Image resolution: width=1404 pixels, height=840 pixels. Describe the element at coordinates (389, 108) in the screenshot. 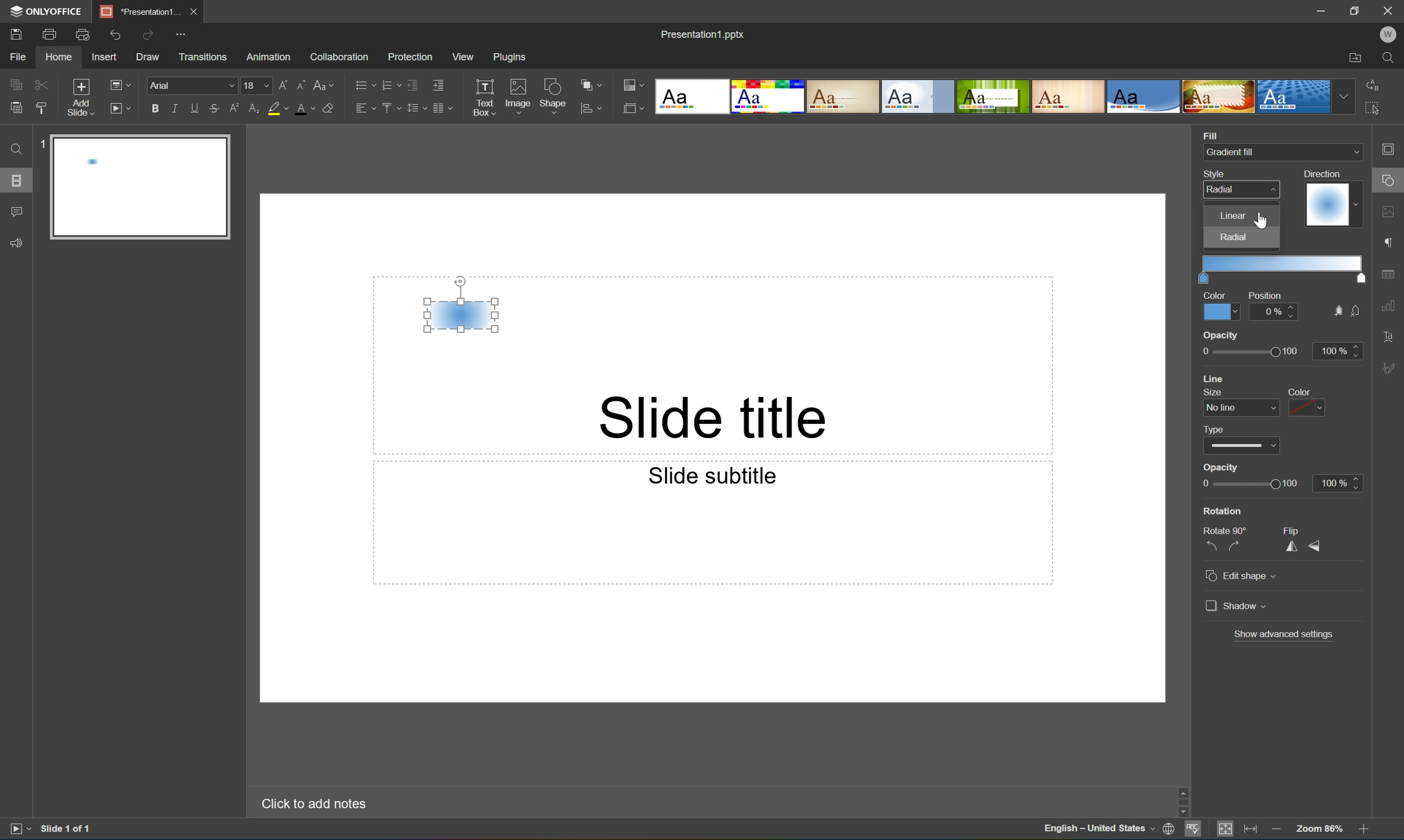

I see `Vertical align` at that location.